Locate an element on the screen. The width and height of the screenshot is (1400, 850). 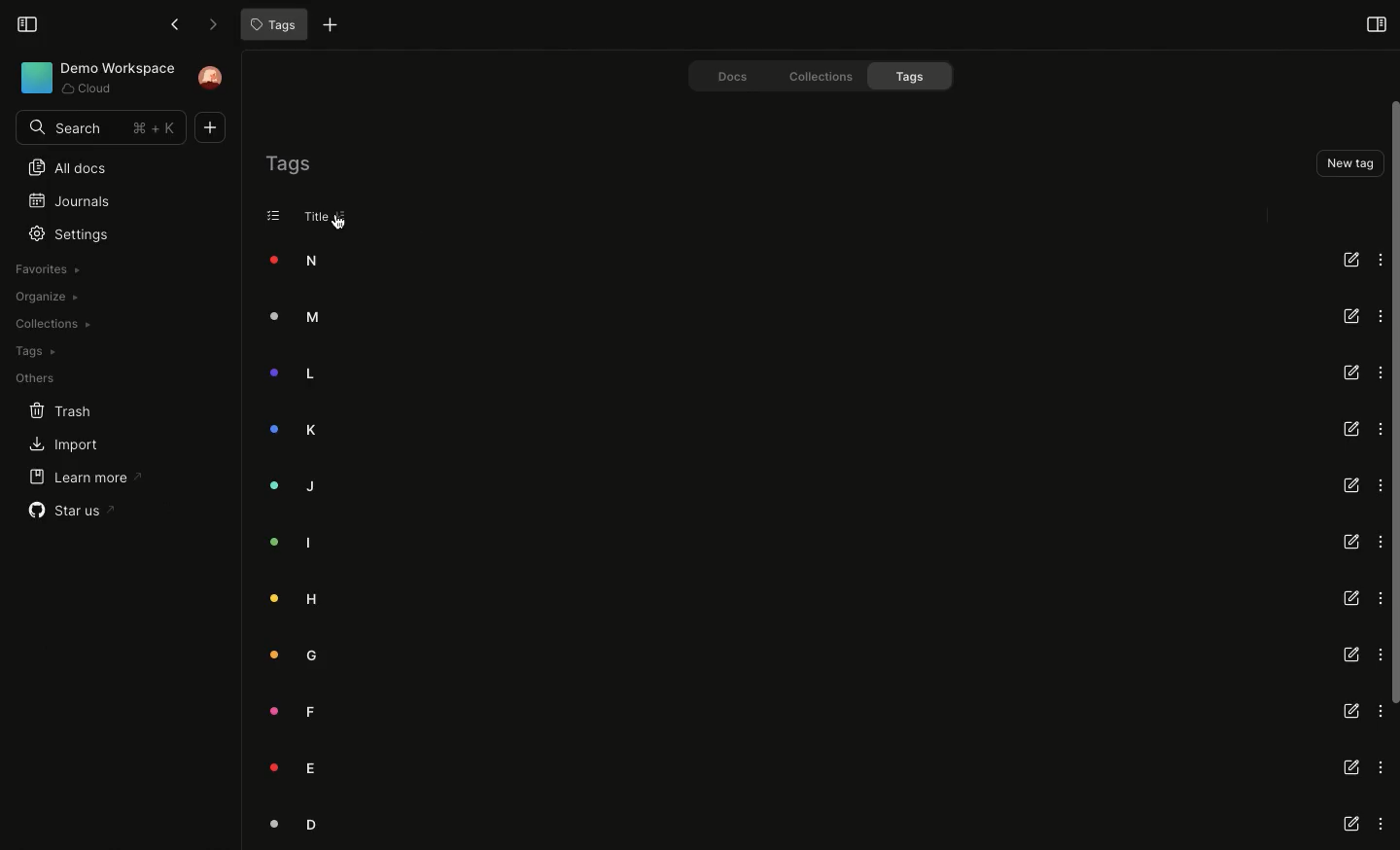
E is located at coordinates (288, 768).